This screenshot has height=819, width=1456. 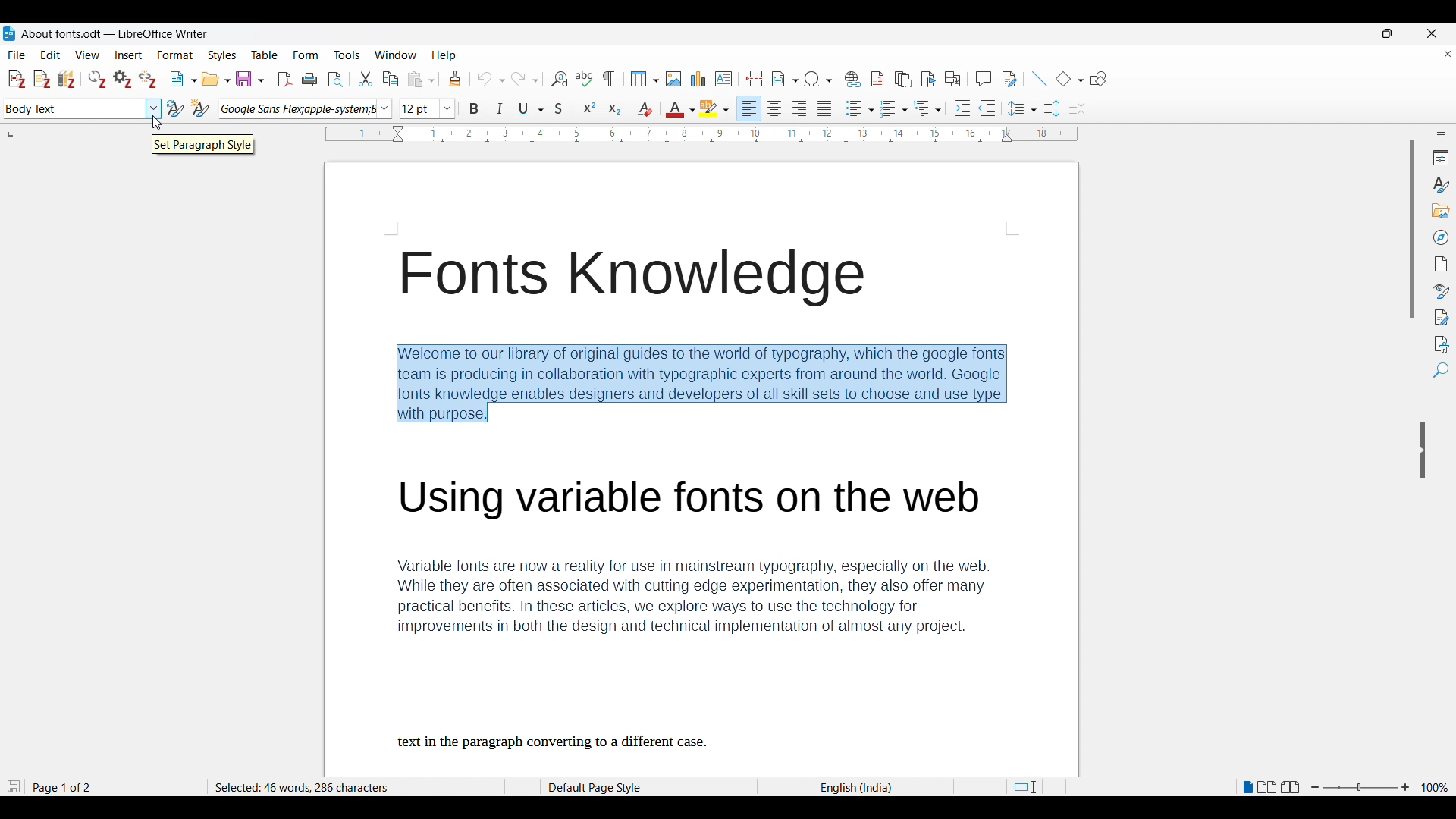 I want to click on Font options, so click(x=306, y=108).